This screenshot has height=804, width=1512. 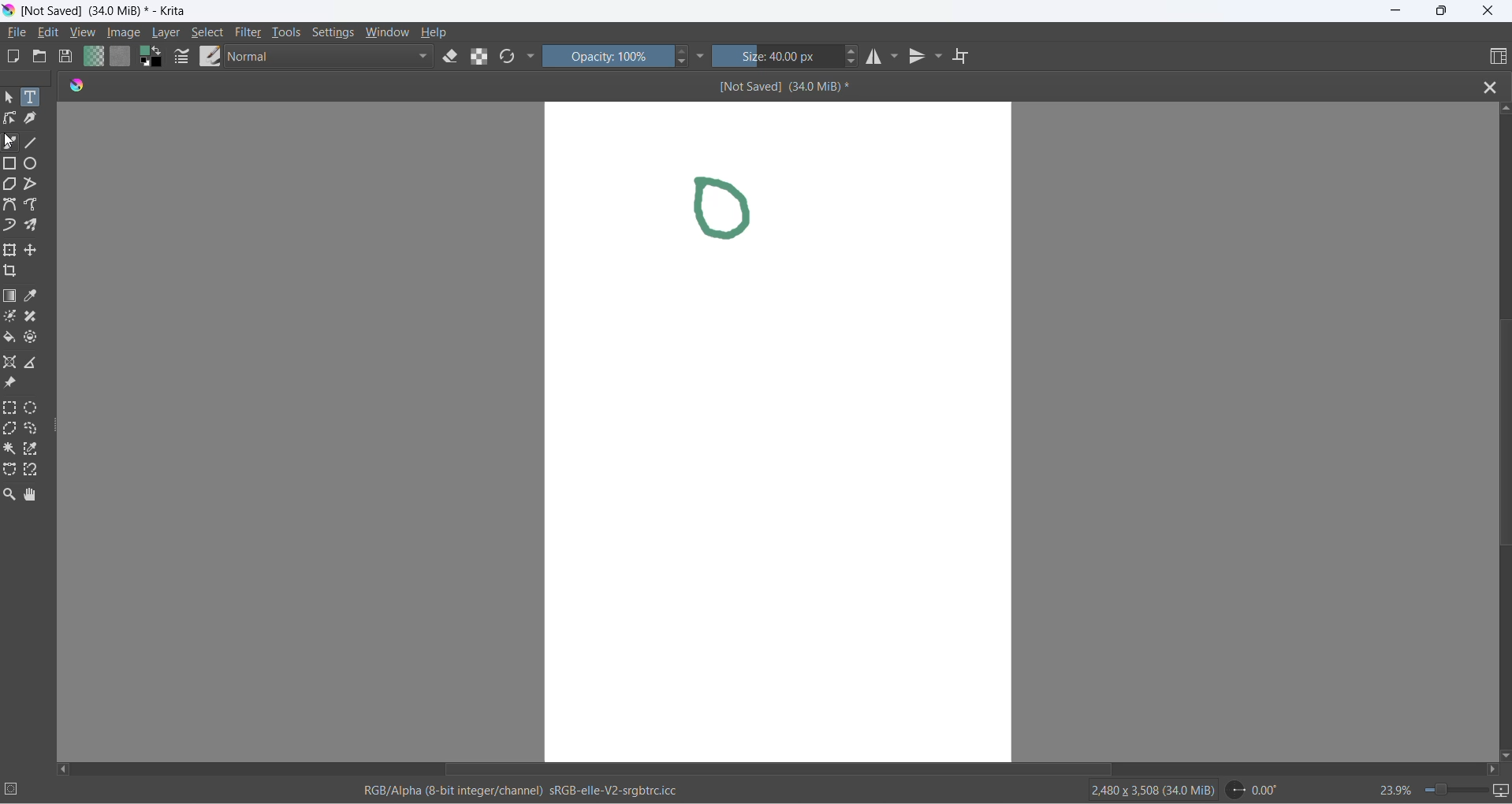 What do you see at coordinates (875, 57) in the screenshot?
I see `horizontal mirror tool` at bounding box center [875, 57].